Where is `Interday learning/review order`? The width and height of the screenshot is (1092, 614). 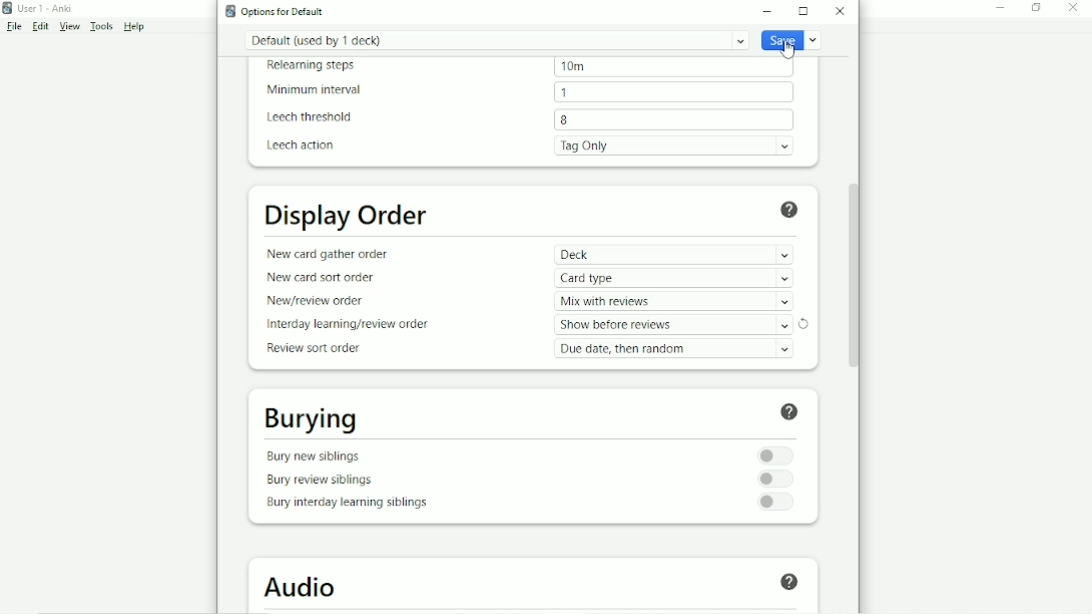 Interday learning/review order is located at coordinates (346, 325).